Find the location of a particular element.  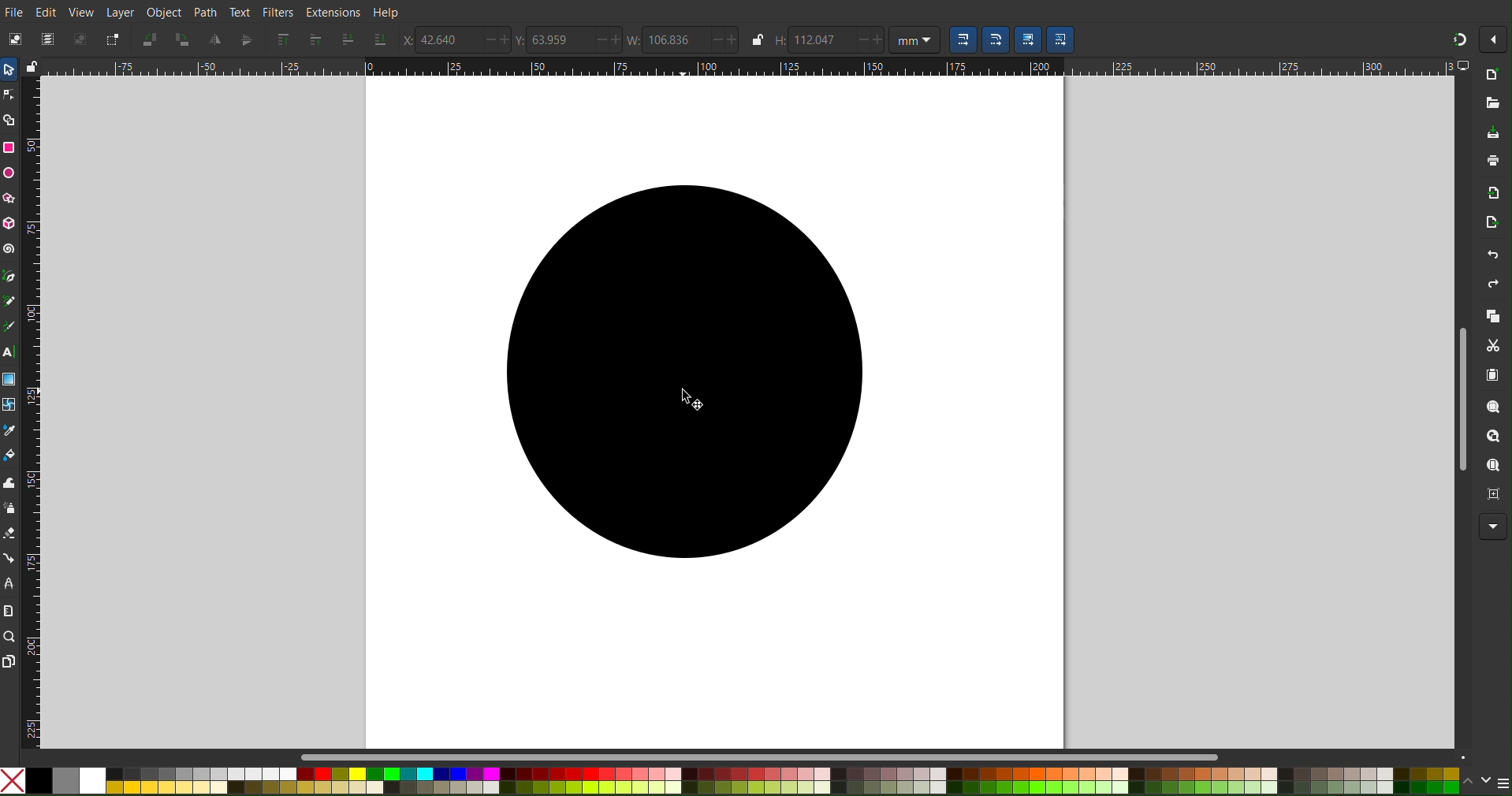

Scrollbar is located at coordinates (885, 757).